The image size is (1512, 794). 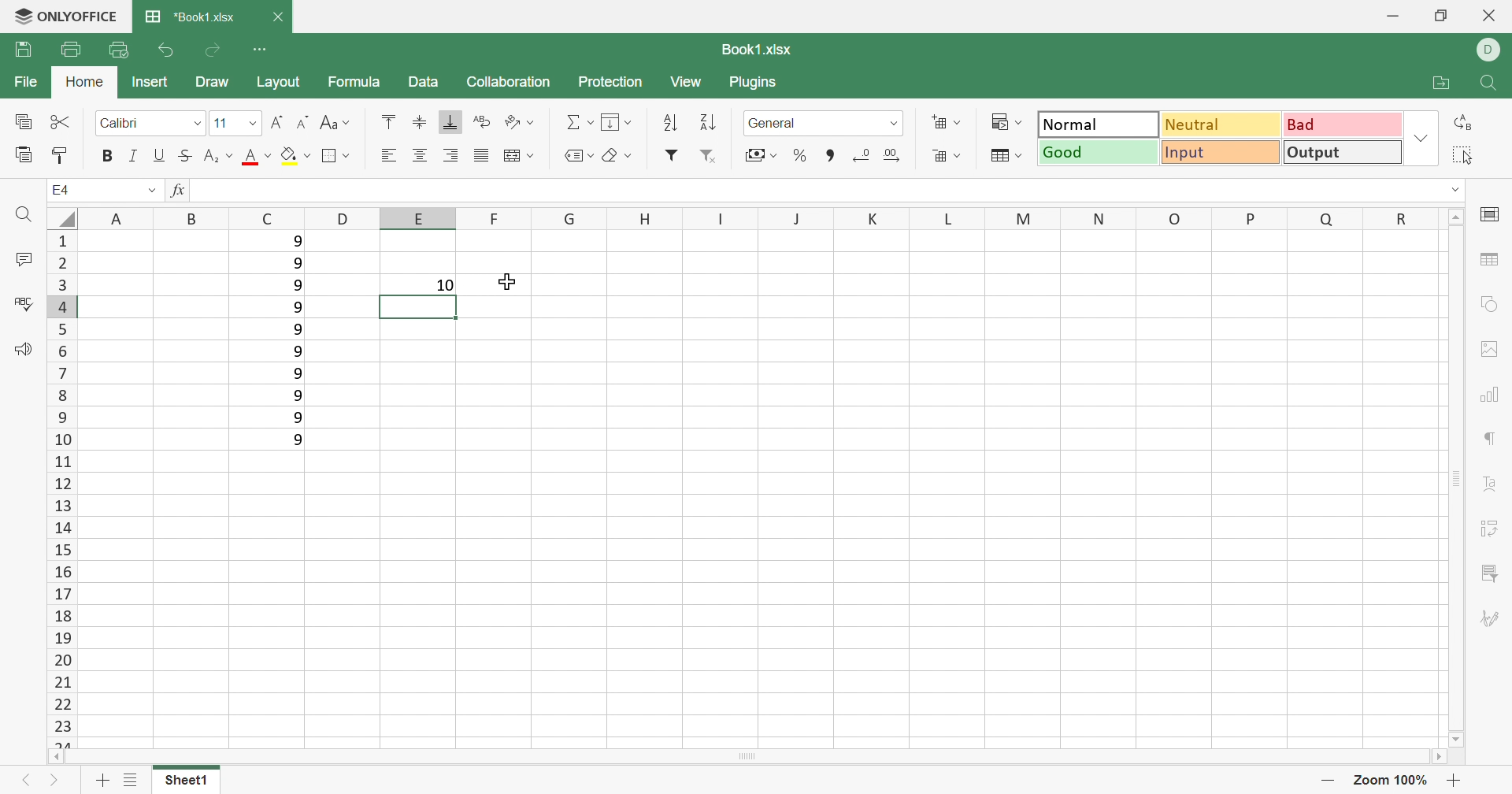 I want to click on Scroll Bar, so click(x=1459, y=479).